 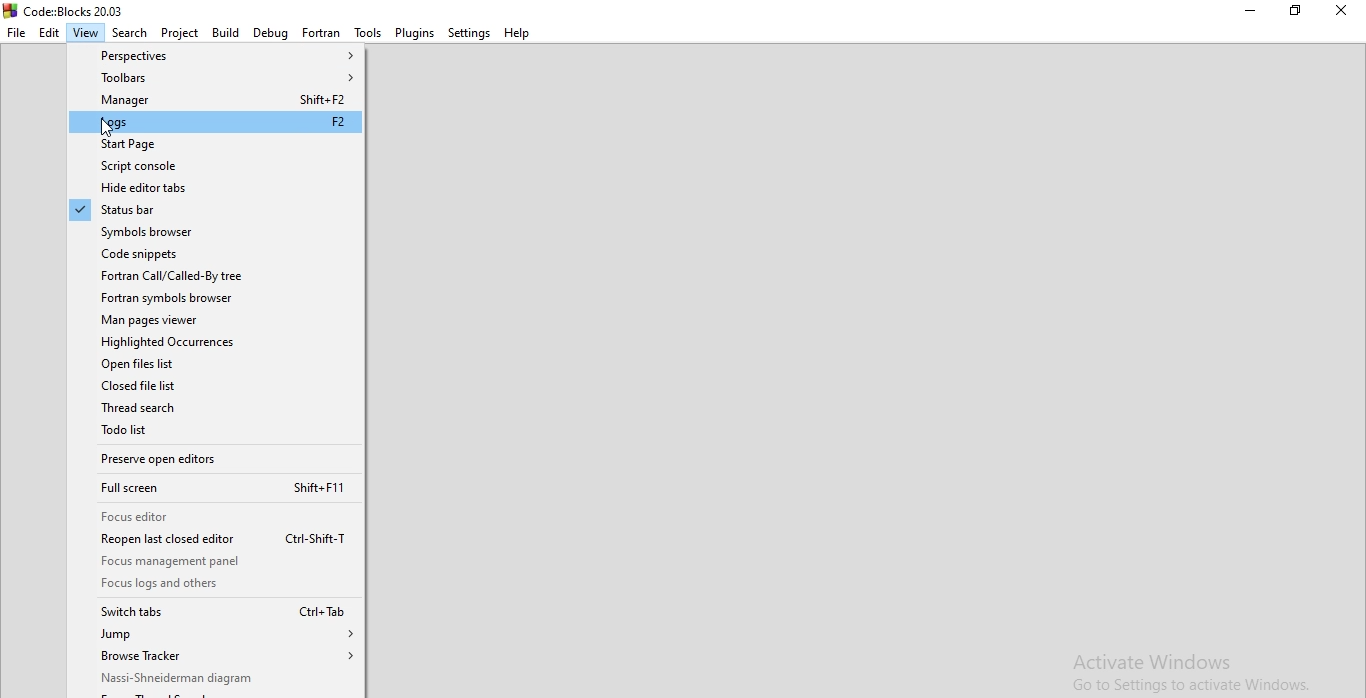 What do you see at coordinates (216, 210) in the screenshot?
I see `status bar` at bounding box center [216, 210].